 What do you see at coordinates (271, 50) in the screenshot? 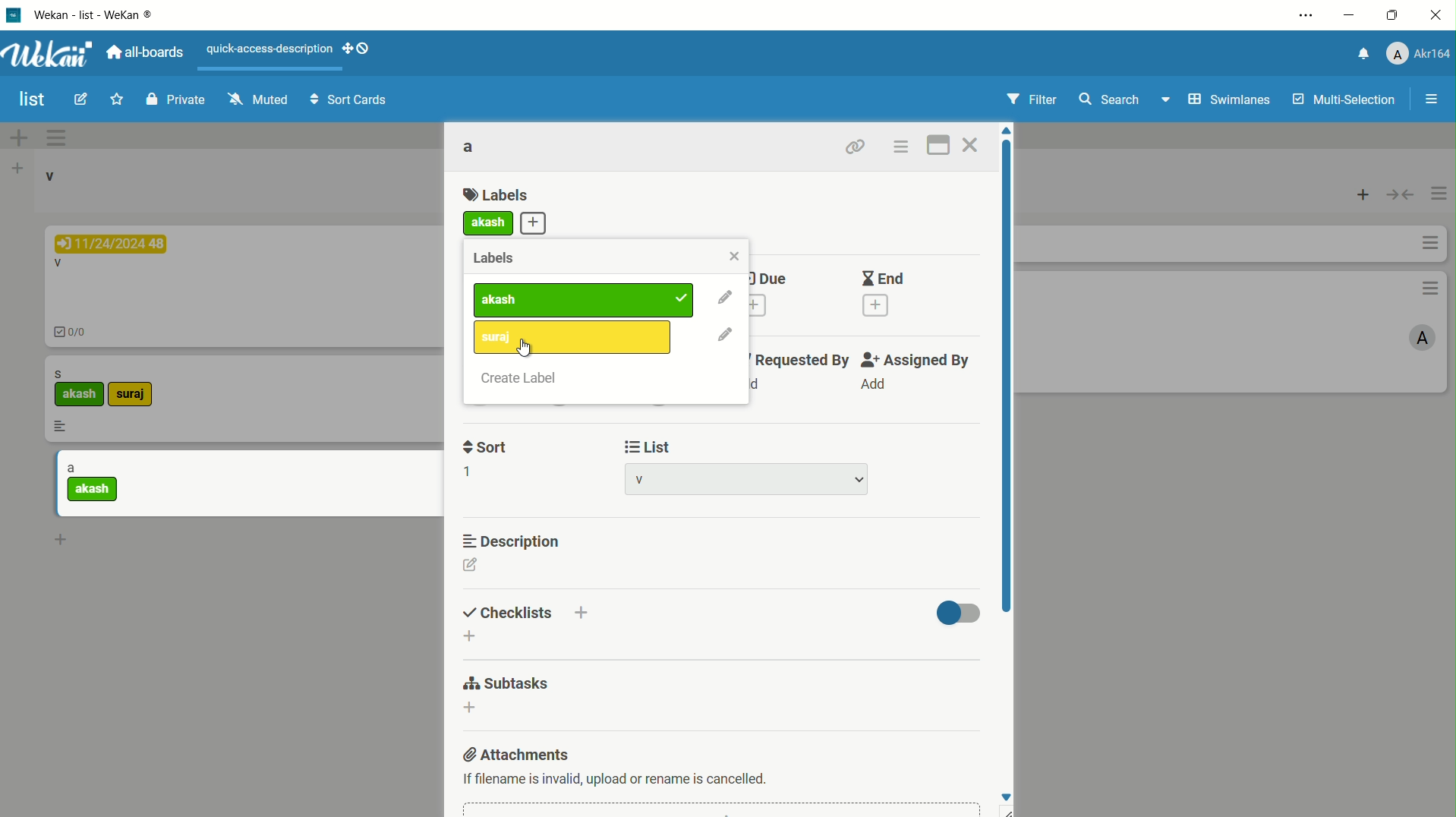
I see `quick-access-description` at bounding box center [271, 50].